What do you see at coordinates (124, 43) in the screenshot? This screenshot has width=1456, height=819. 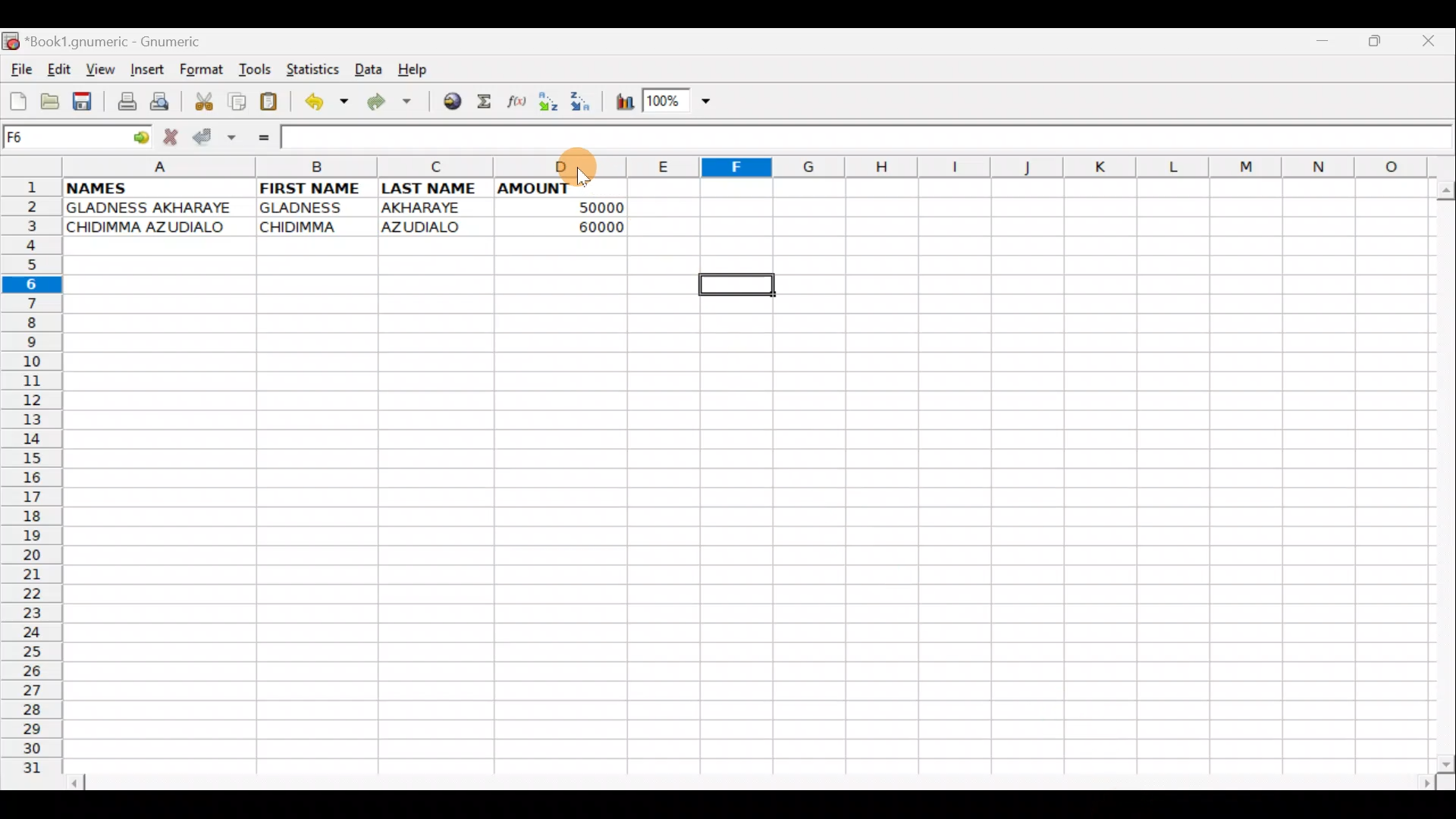 I see `*Book 1.gnumeric - Gnumeric` at bounding box center [124, 43].